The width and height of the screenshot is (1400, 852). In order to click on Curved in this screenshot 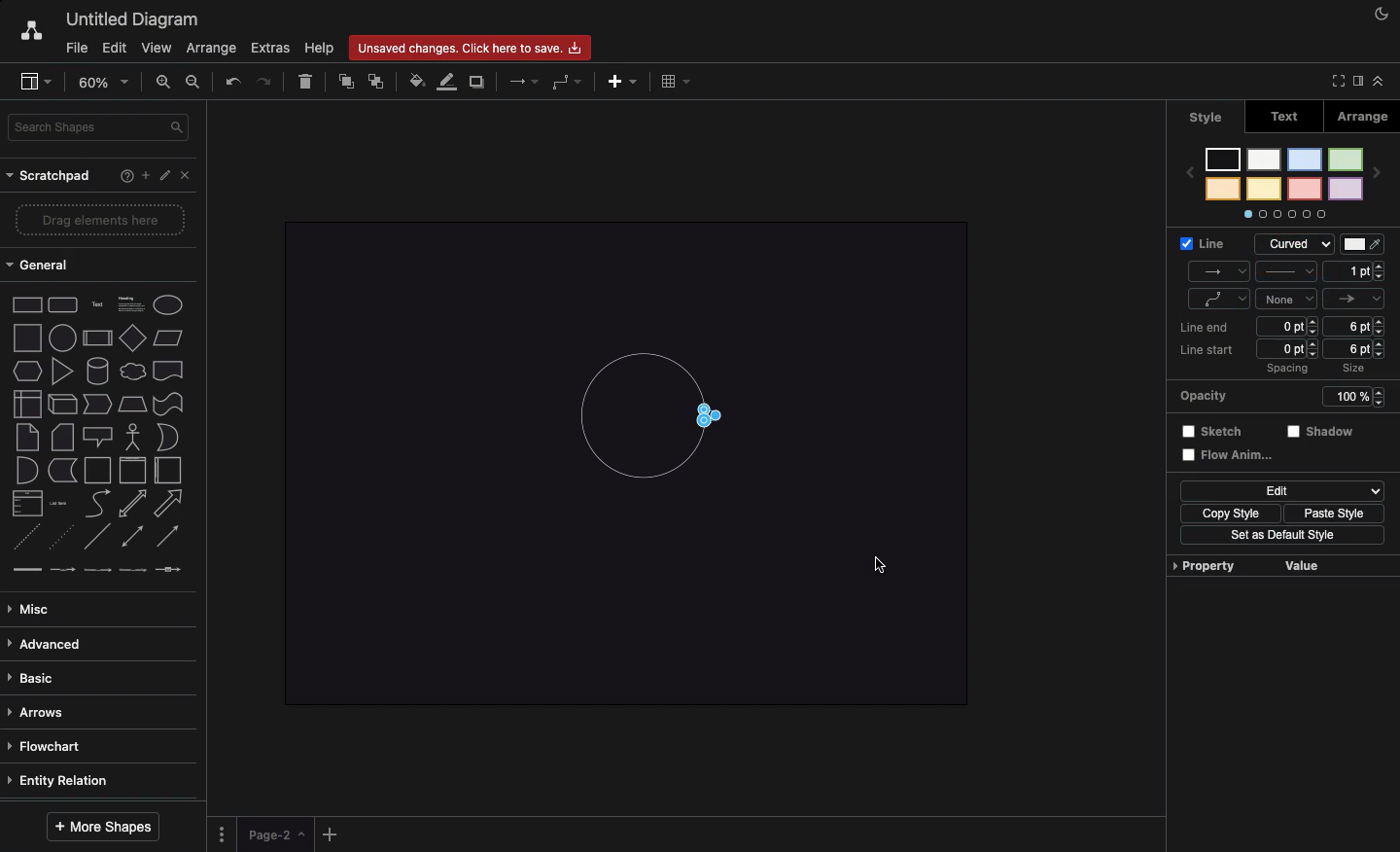, I will do `click(717, 418)`.